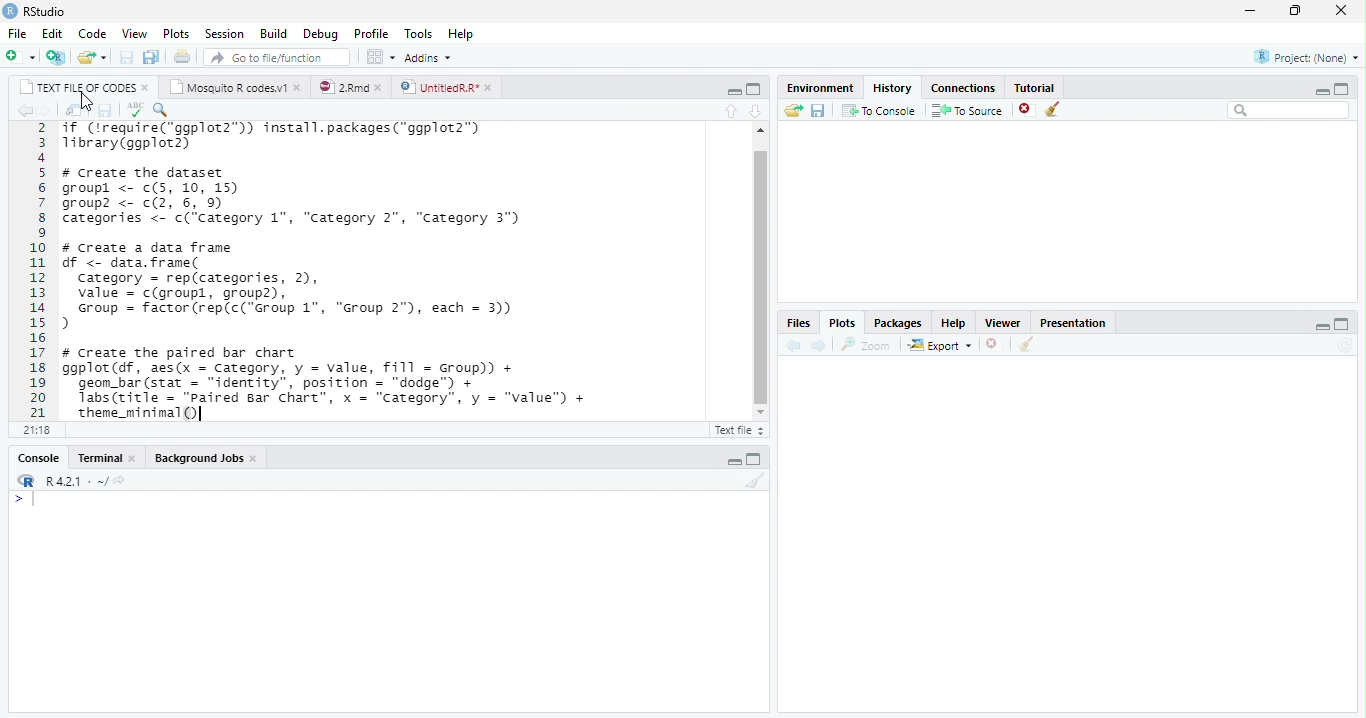 This screenshot has height=718, width=1366. I want to click on profile, so click(370, 32).